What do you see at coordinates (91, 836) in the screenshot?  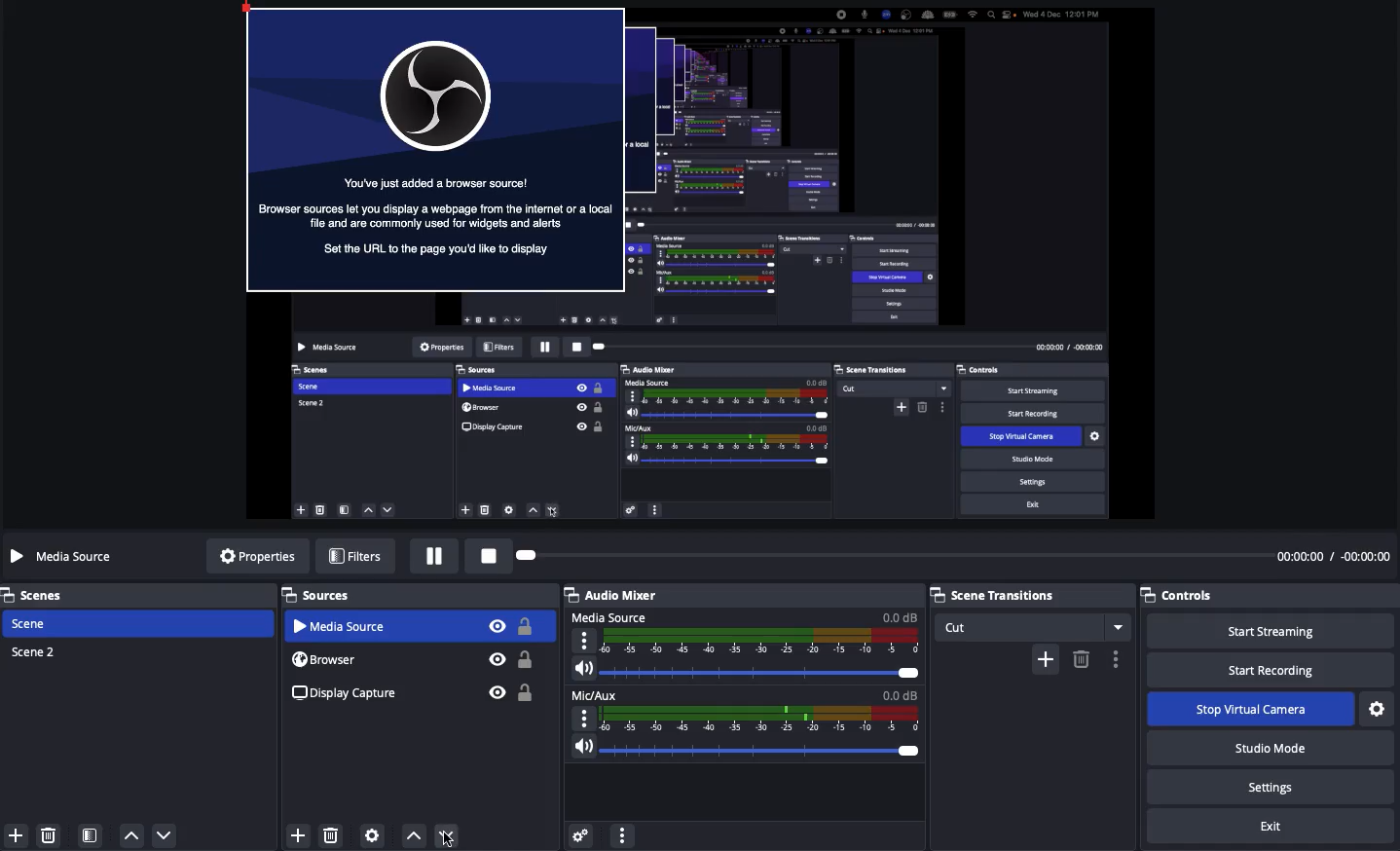 I see `Scene filter` at bounding box center [91, 836].